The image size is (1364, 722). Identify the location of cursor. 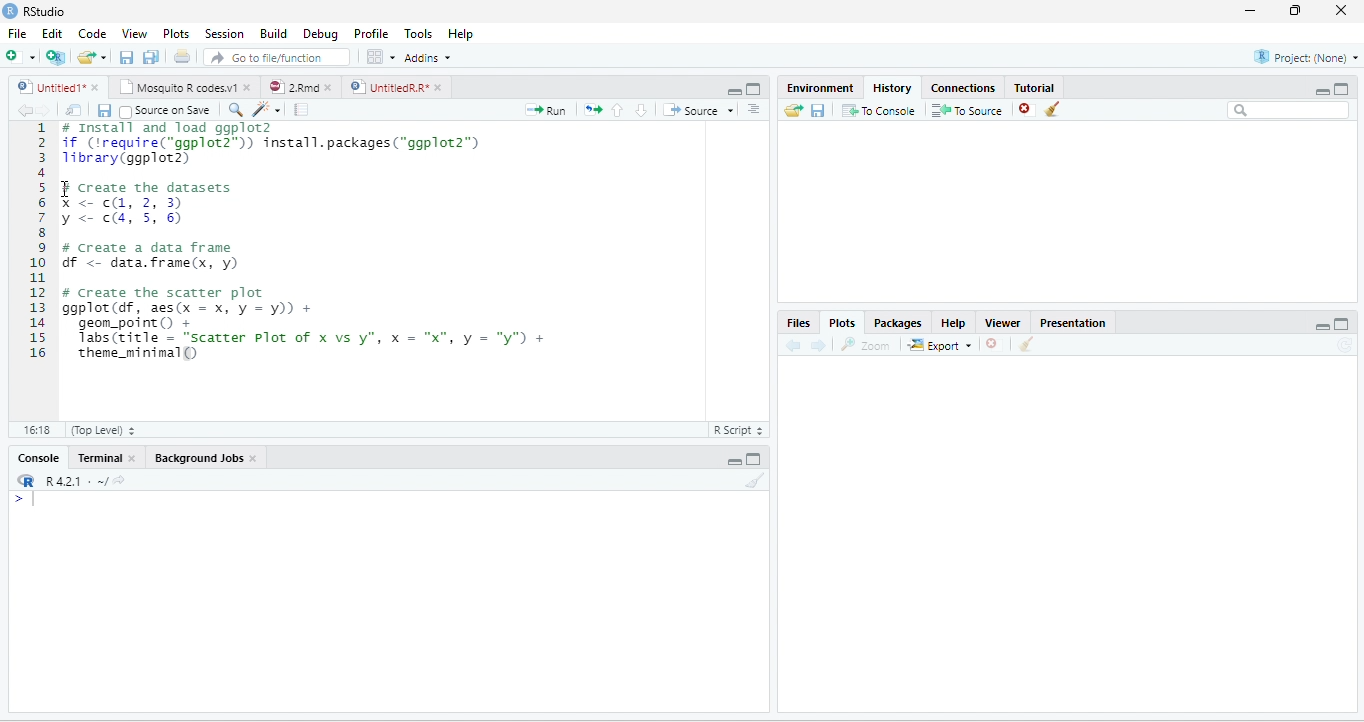
(66, 189).